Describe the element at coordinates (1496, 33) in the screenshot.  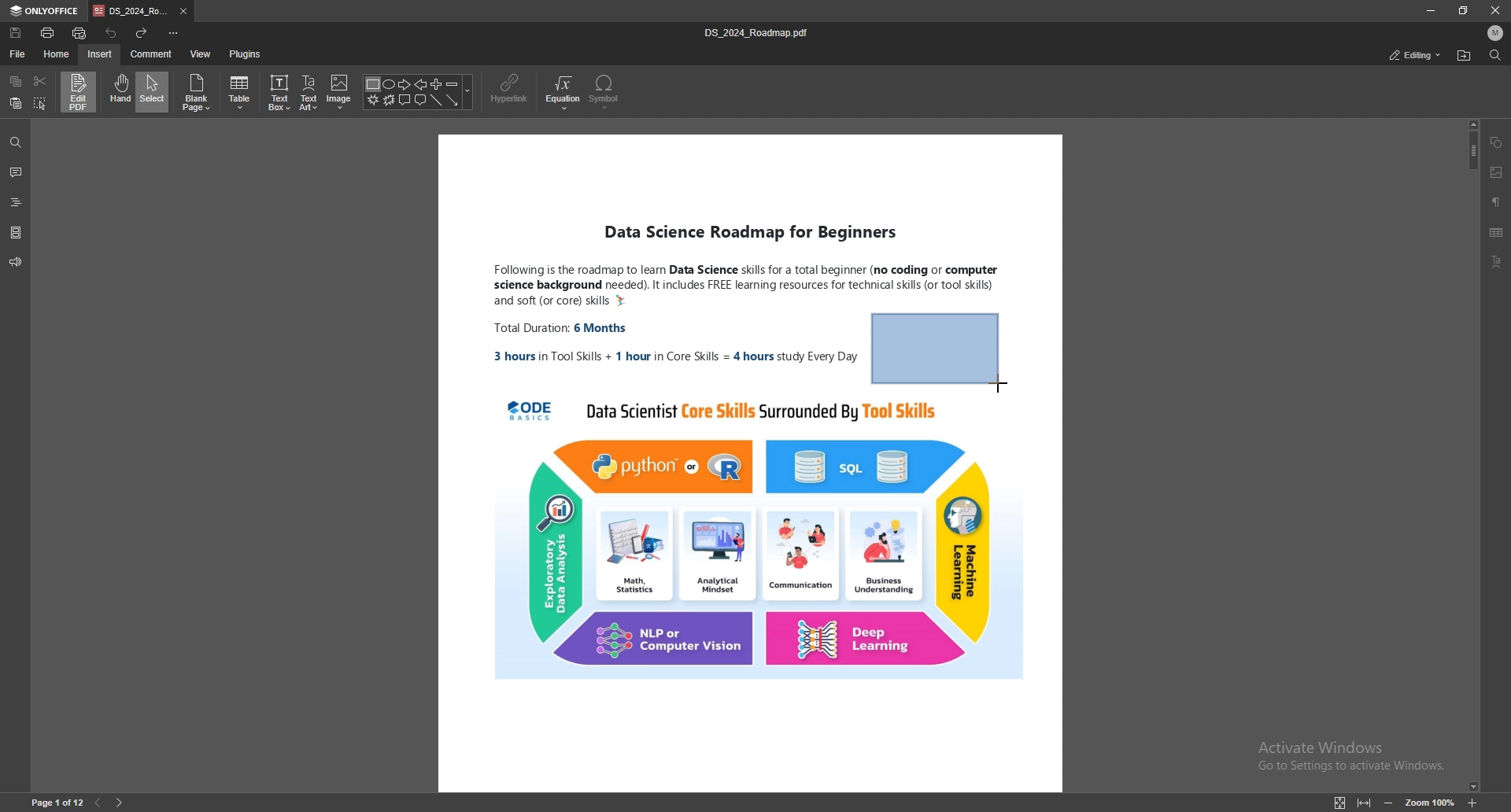
I see `profile` at that location.